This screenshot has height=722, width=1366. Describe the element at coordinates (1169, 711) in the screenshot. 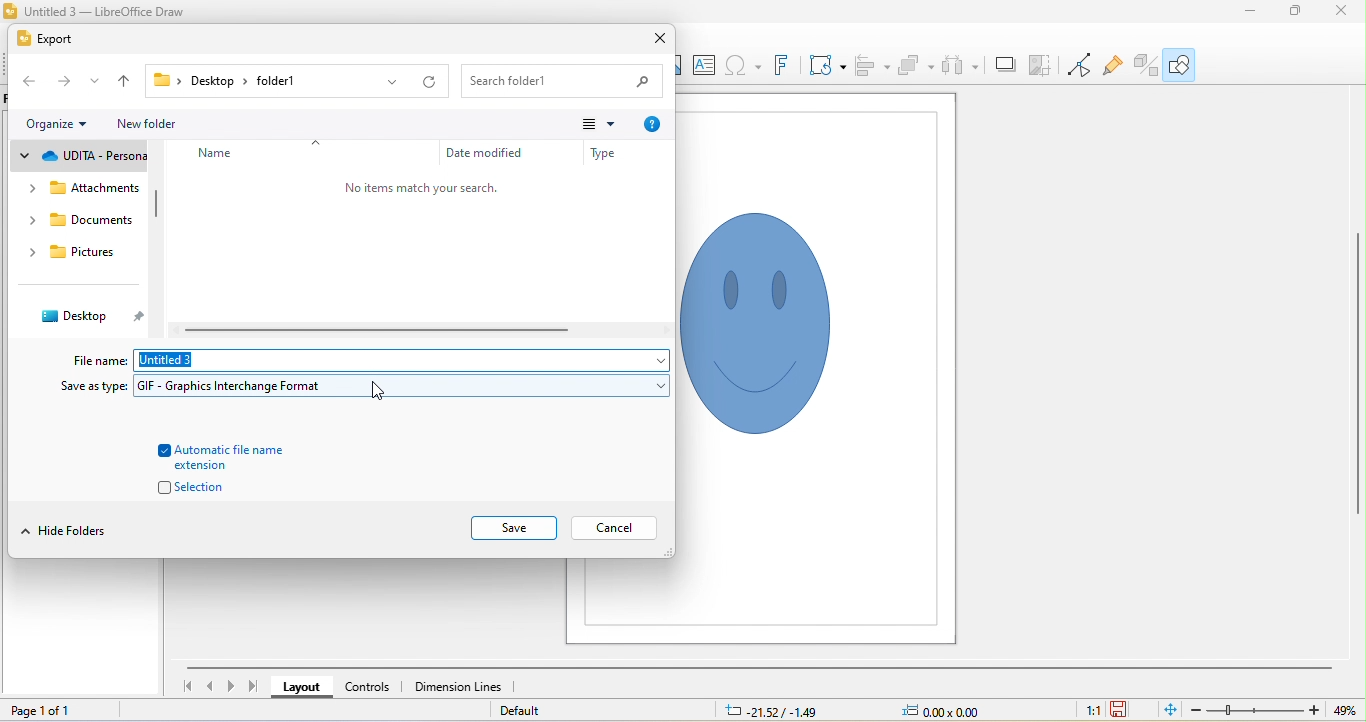

I see `fit to current window` at that location.